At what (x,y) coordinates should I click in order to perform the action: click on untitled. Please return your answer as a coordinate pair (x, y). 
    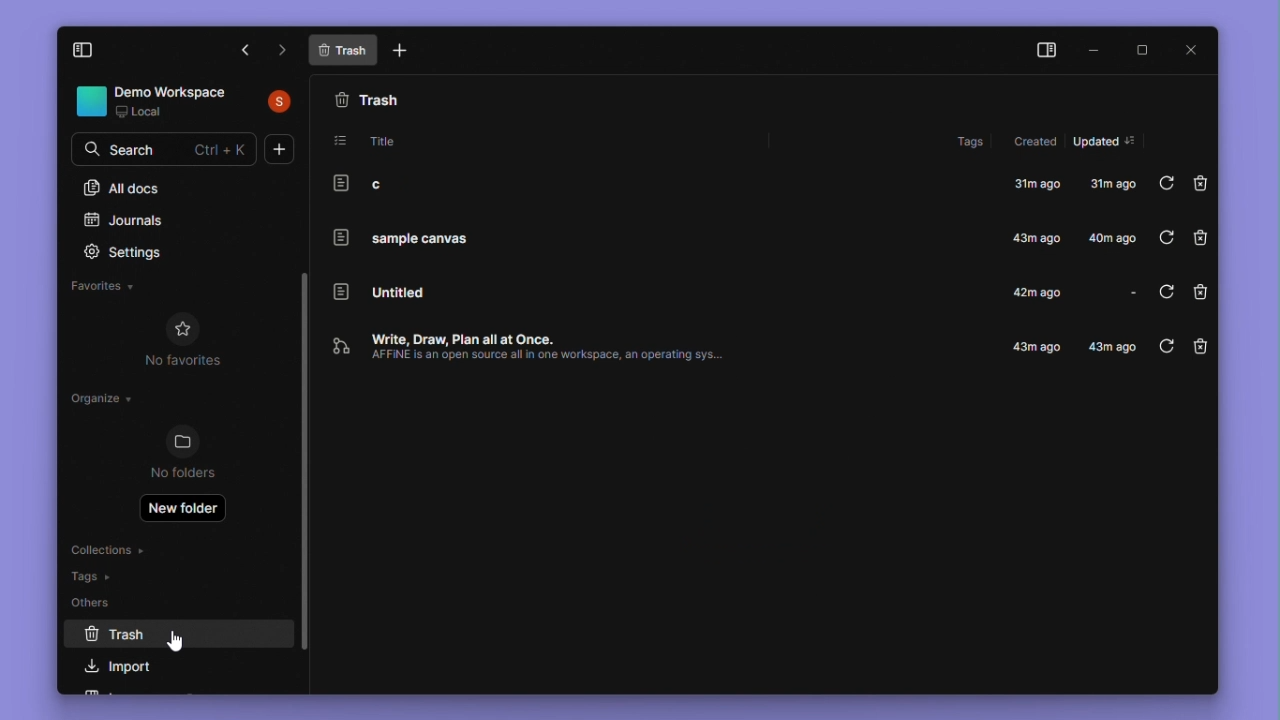
    Looking at the image, I should click on (379, 289).